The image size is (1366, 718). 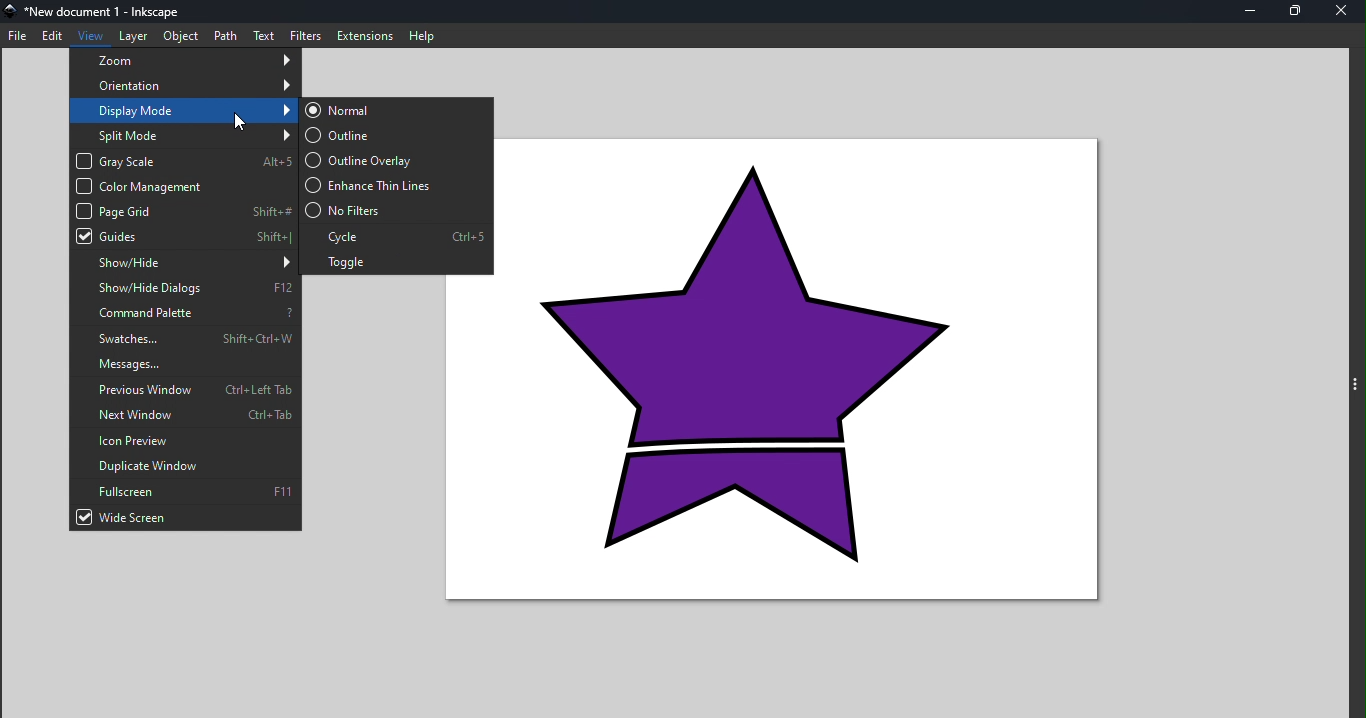 What do you see at coordinates (179, 36) in the screenshot?
I see `Object` at bounding box center [179, 36].